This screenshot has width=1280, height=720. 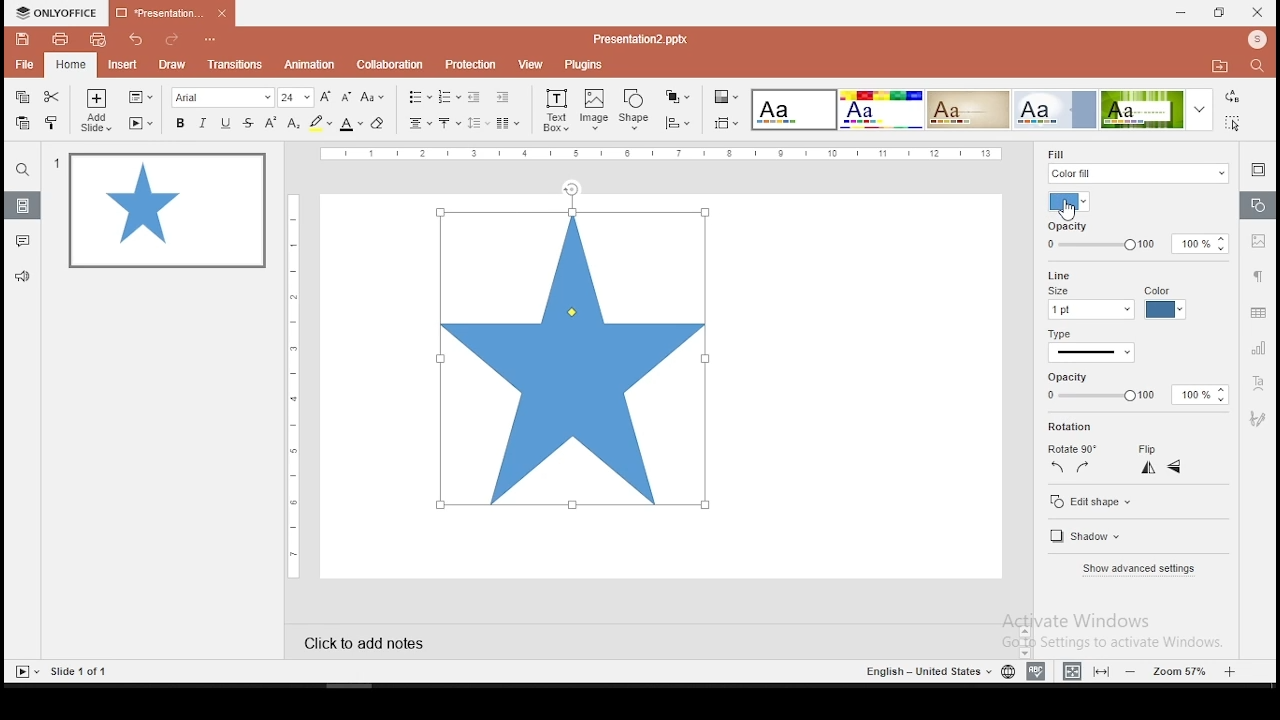 What do you see at coordinates (1256, 385) in the screenshot?
I see `text art tool` at bounding box center [1256, 385].